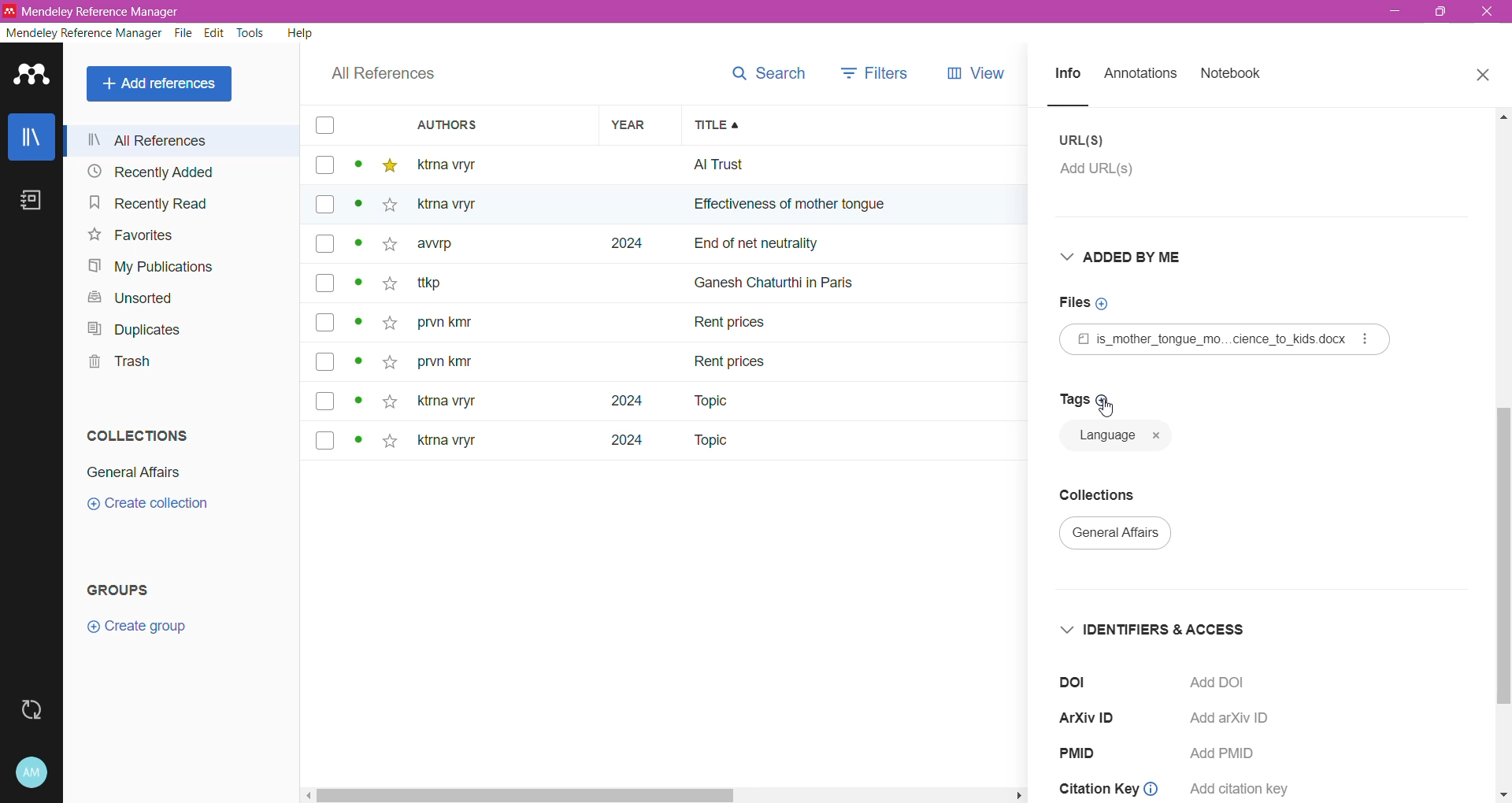  What do you see at coordinates (387, 324) in the screenshot?
I see `star` at bounding box center [387, 324].